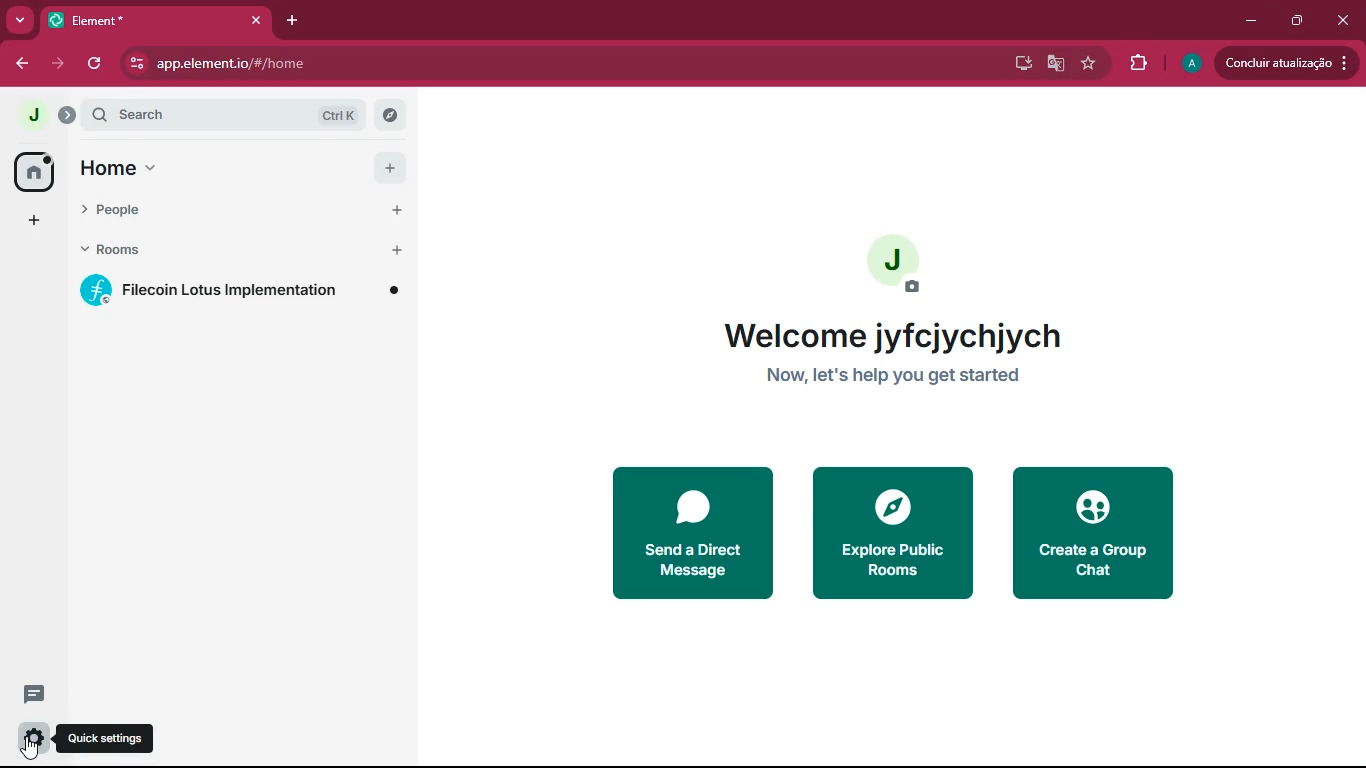 The width and height of the screenshot is (1366, 768). What do you see at coordinates (48, 698) in the screenshot?
I see `comments ` at bounding box center [48, 698].